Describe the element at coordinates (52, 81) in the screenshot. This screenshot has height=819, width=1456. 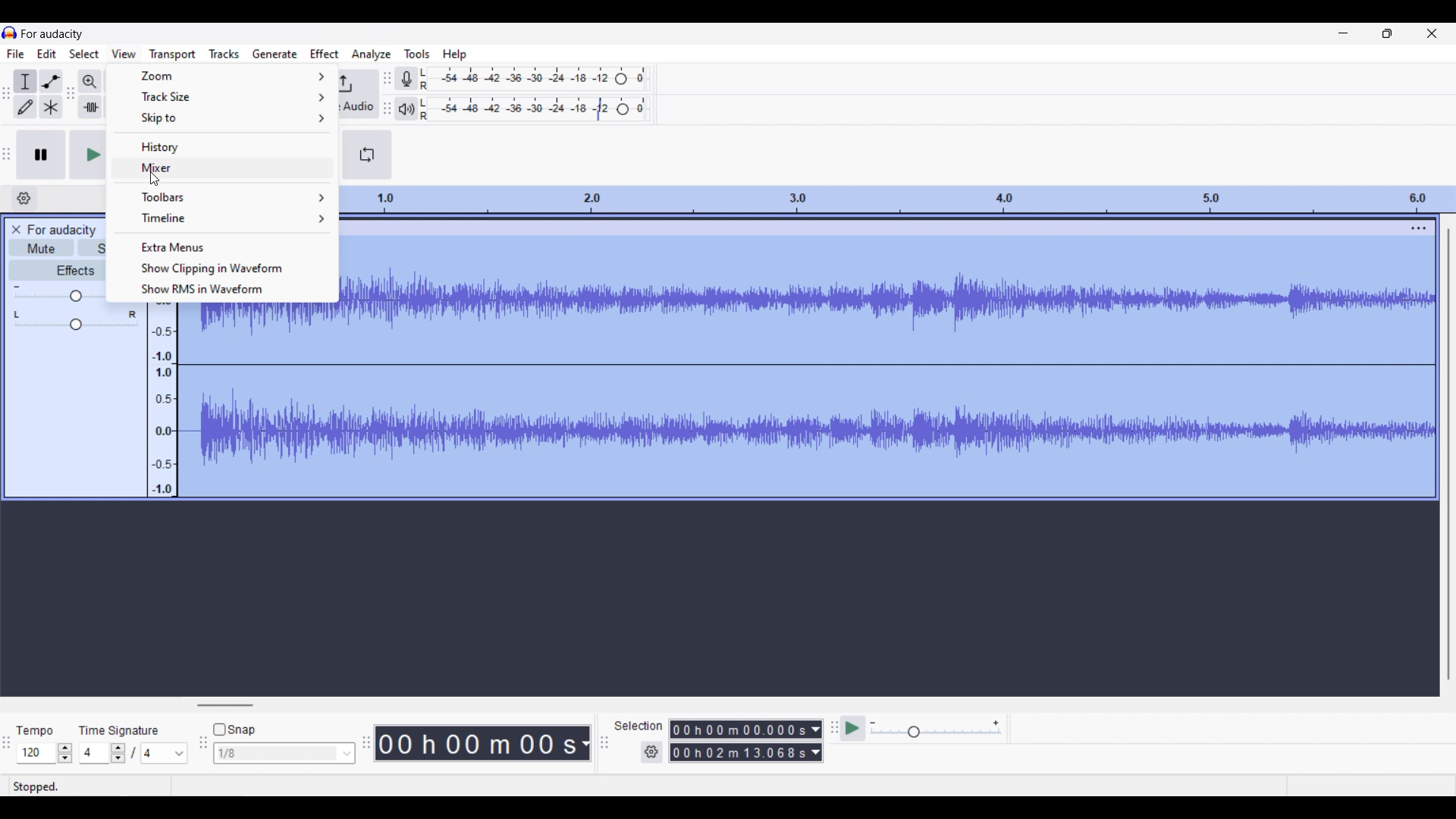
I see `Envelop tool` at that location.